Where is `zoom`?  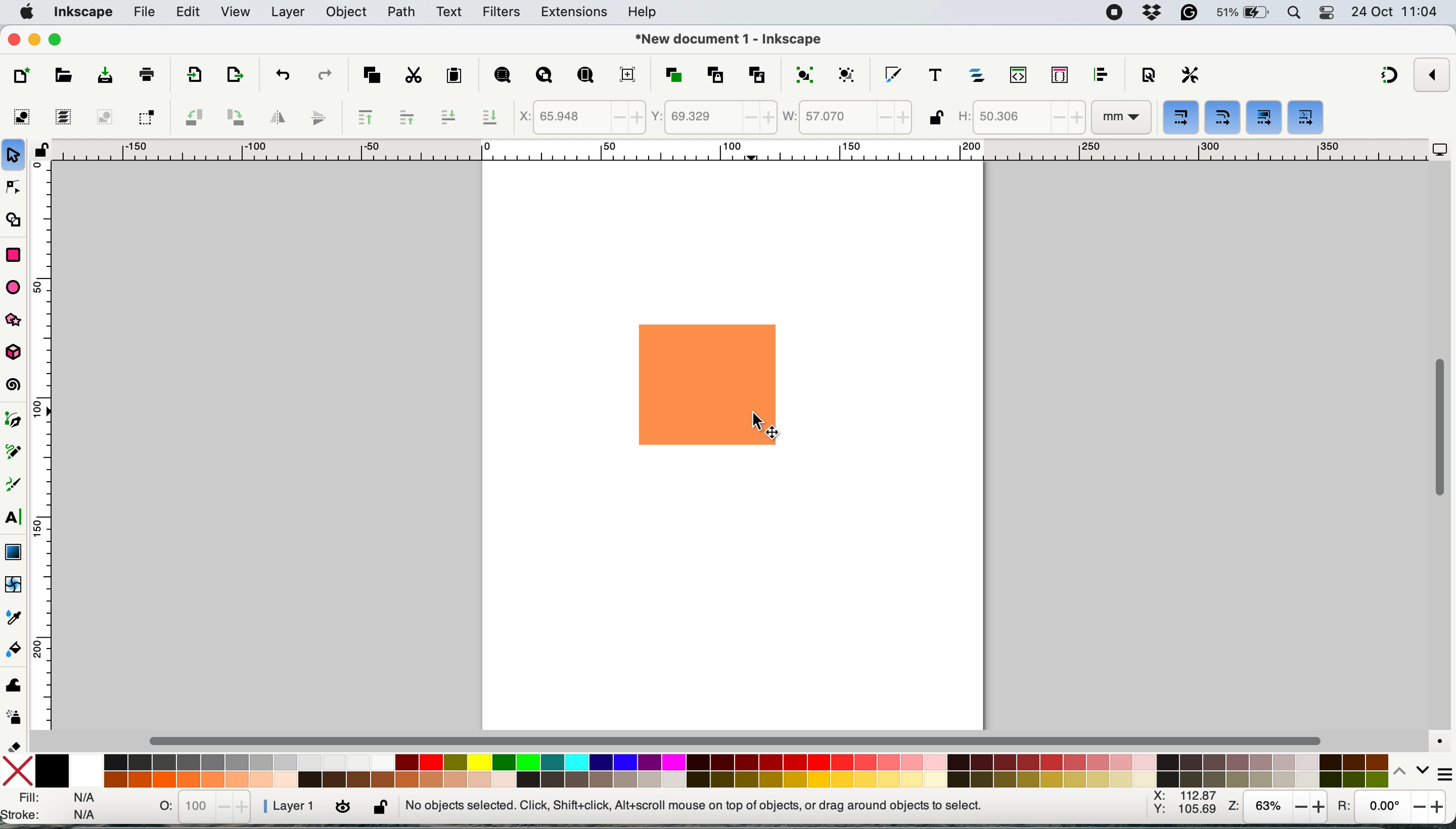 zoom is located at coordinates (1277, 808).